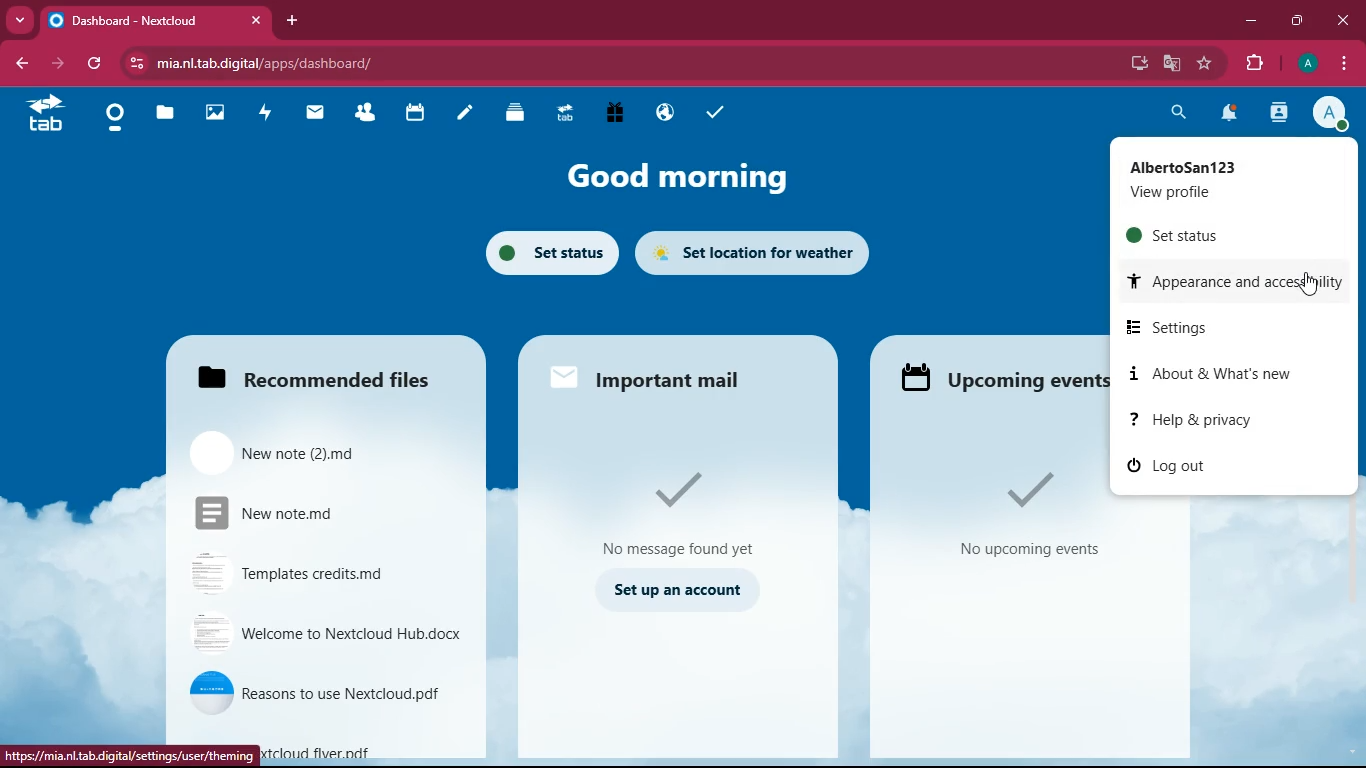  What do you see at coordinates (44, 114) in the screenshot?
I see `tab` at bounding box center [44, 114].